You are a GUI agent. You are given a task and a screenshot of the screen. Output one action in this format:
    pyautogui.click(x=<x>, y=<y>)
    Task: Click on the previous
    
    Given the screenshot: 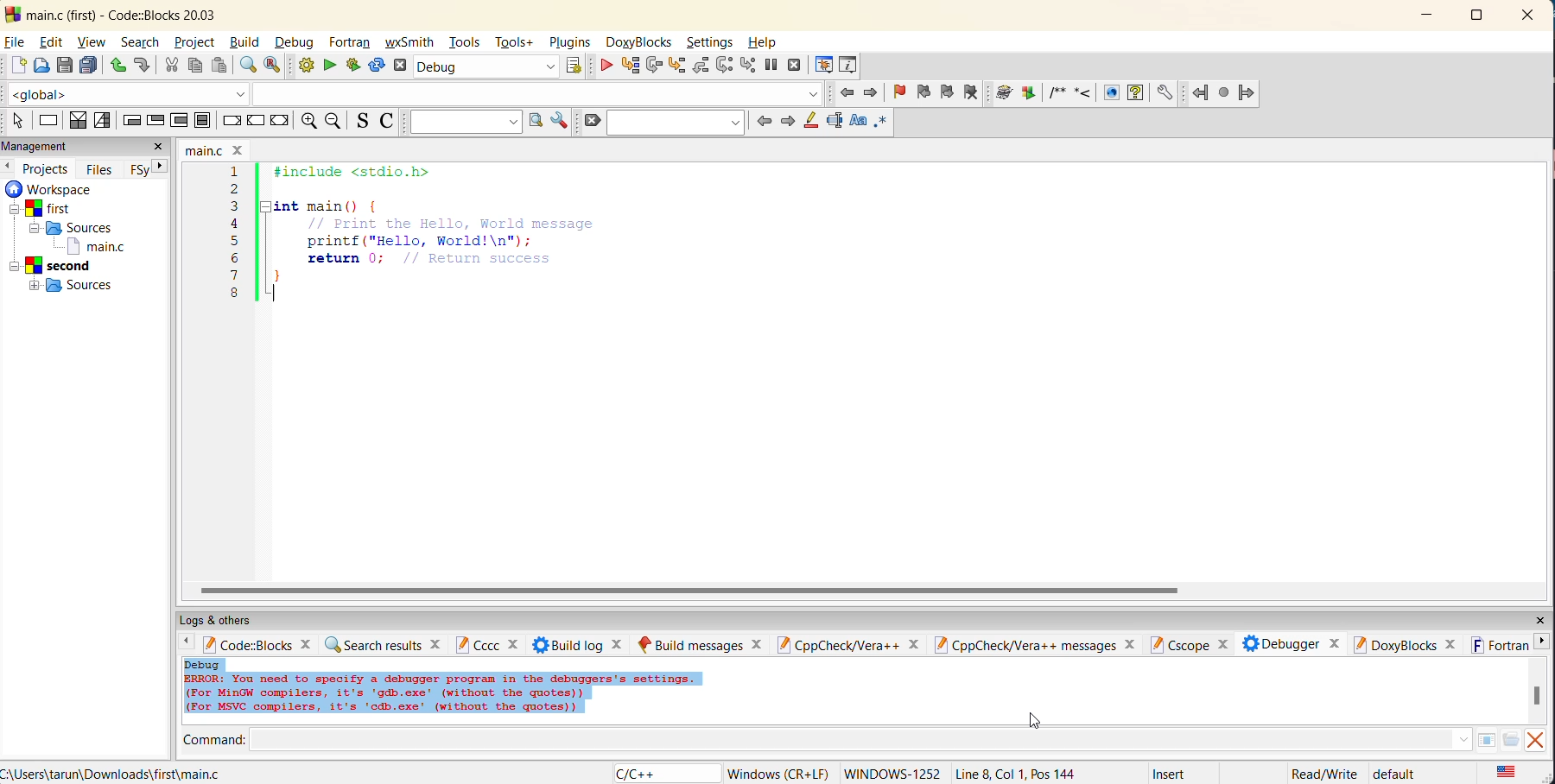 What is the action you would take?
    pyautogui.click(x=10, y=167)
    